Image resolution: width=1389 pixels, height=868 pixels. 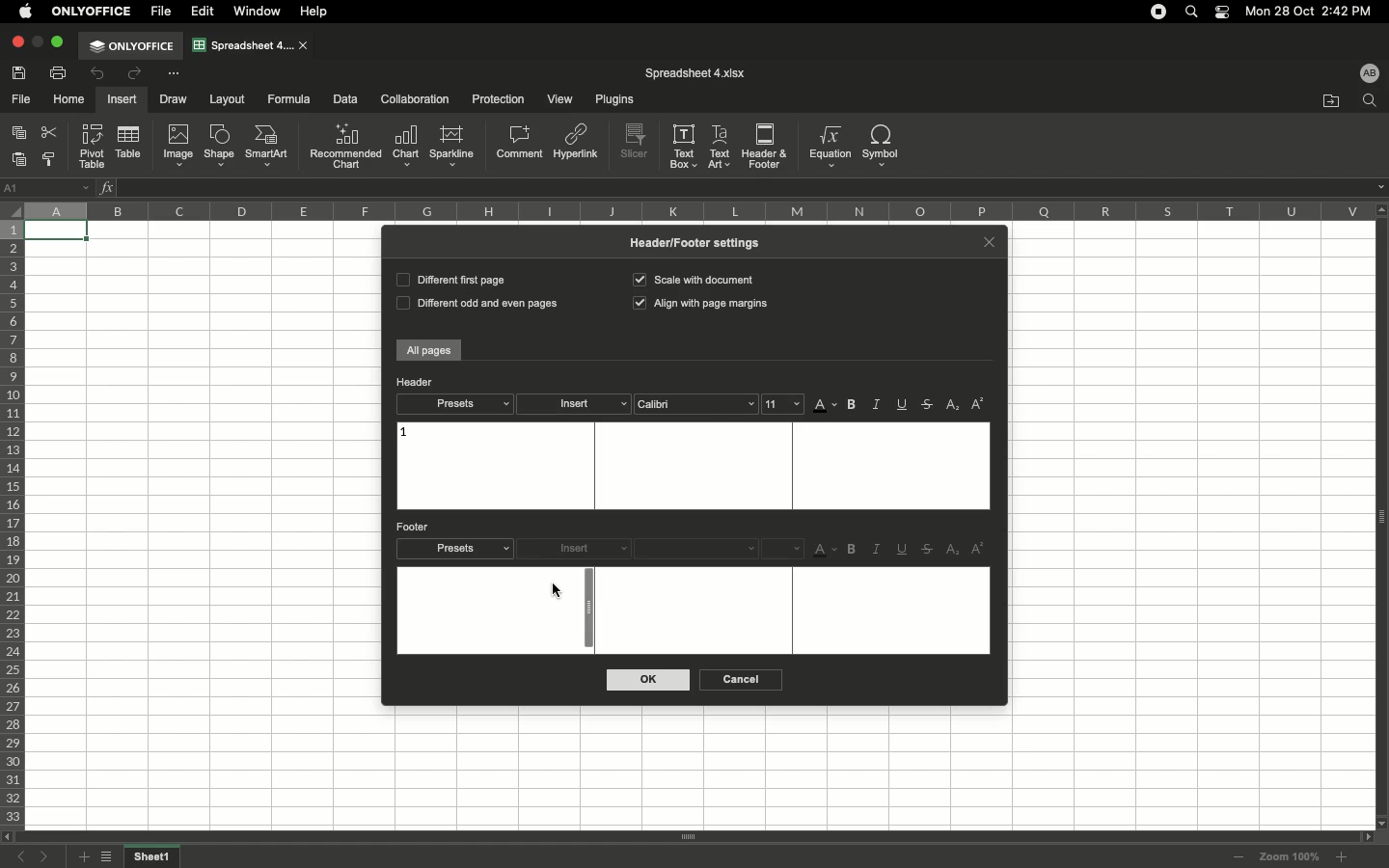 What do you see at coordinates (16, 42) in the screenshot?
I see `Close` at bounding box center [16, 42].